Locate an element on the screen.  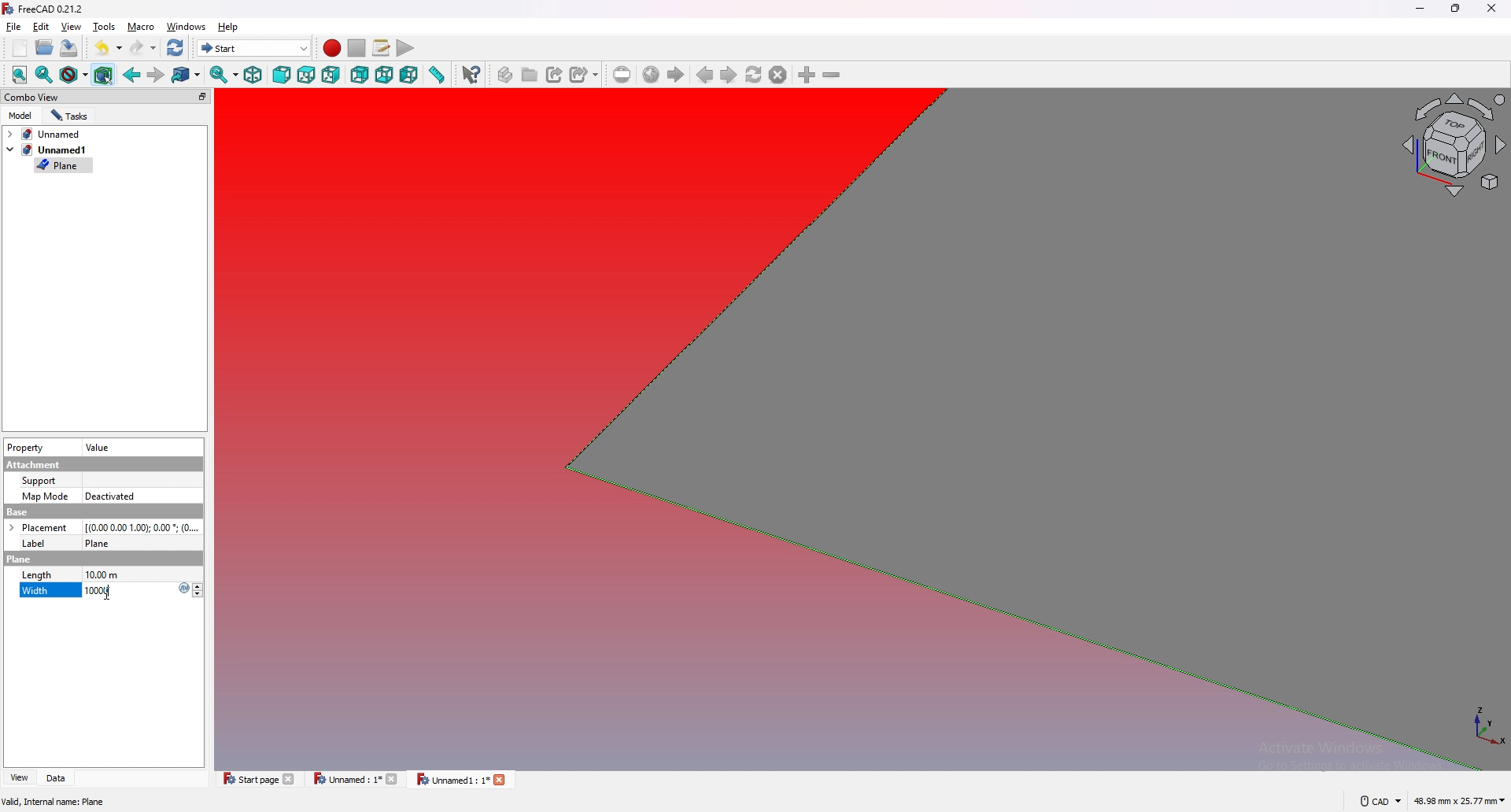
save is located at coordinates (68, 49).